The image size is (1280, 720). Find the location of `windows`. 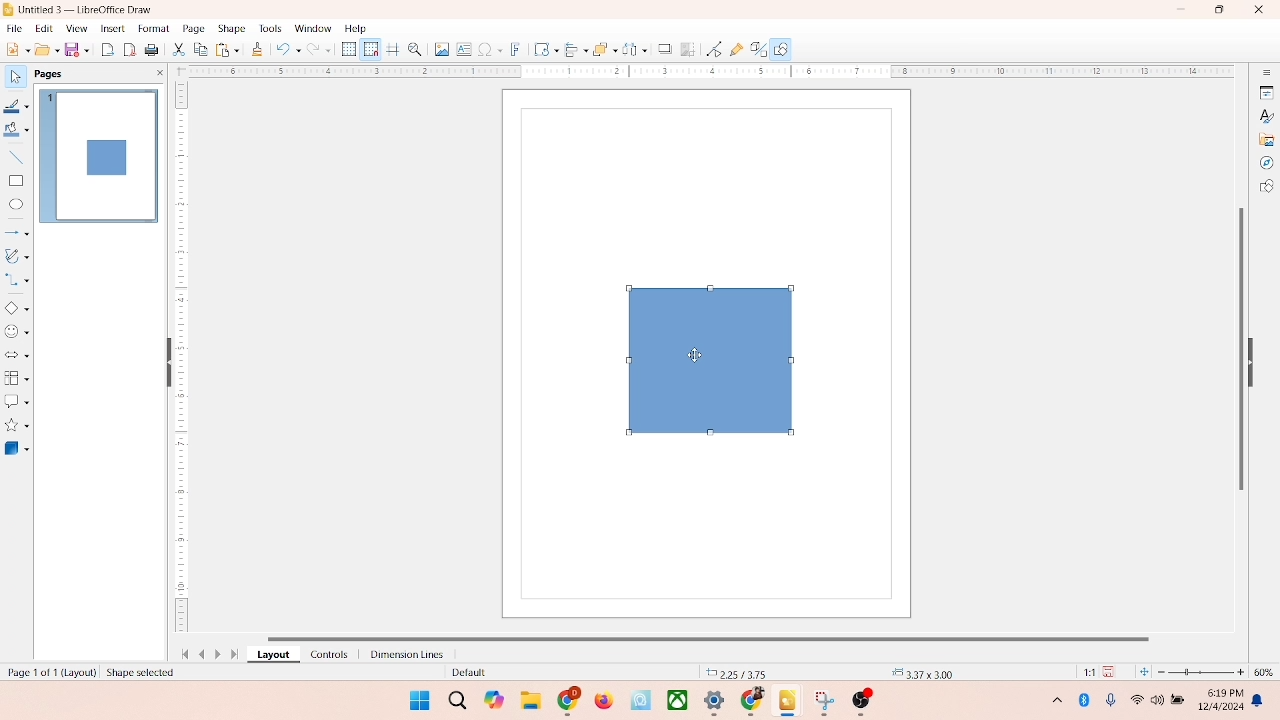

windows is located at coordinates (417, 700).